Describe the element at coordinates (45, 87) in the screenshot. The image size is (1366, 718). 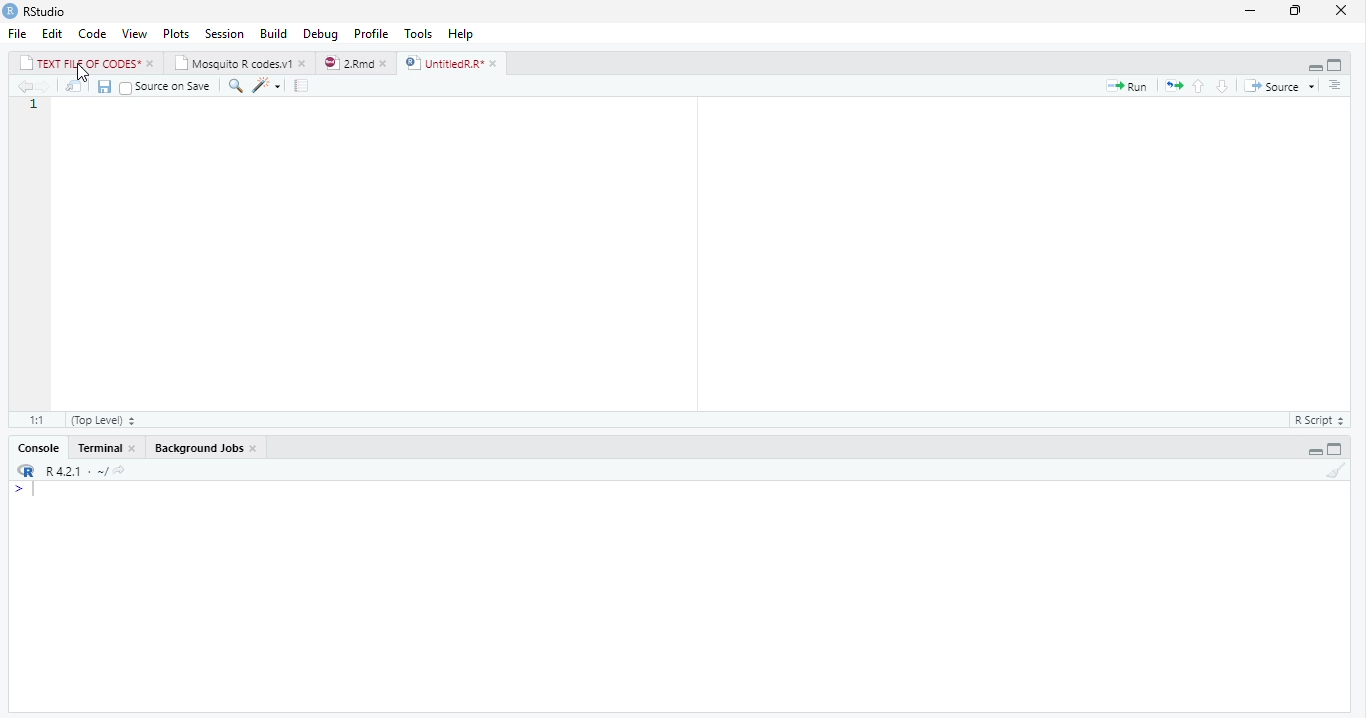
I see `forward` at that location.